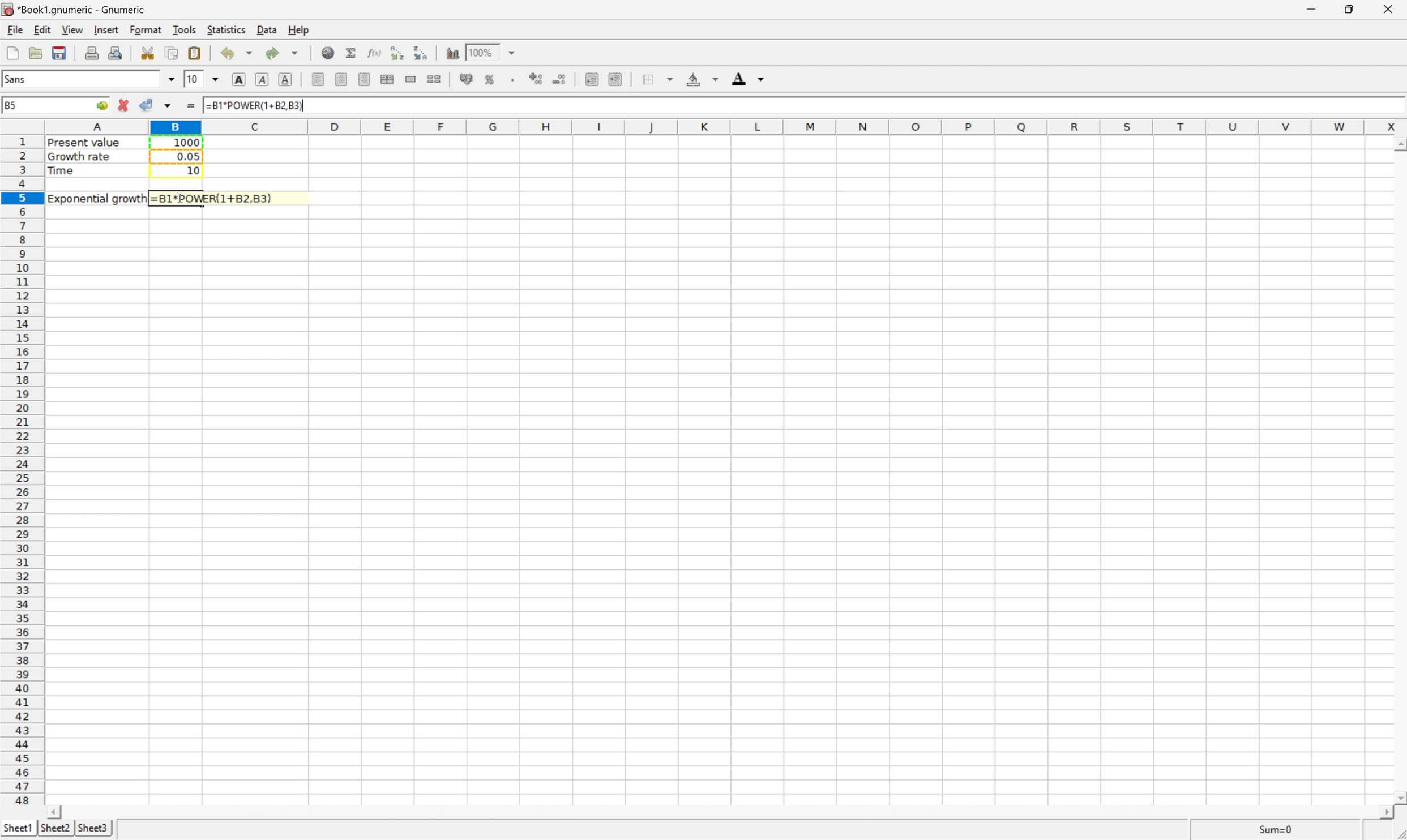 This screenshot has width=1407, height=840. Describe the element at coordinates (343, 79) in the screenshot. I see `Center horizontally` at that location.